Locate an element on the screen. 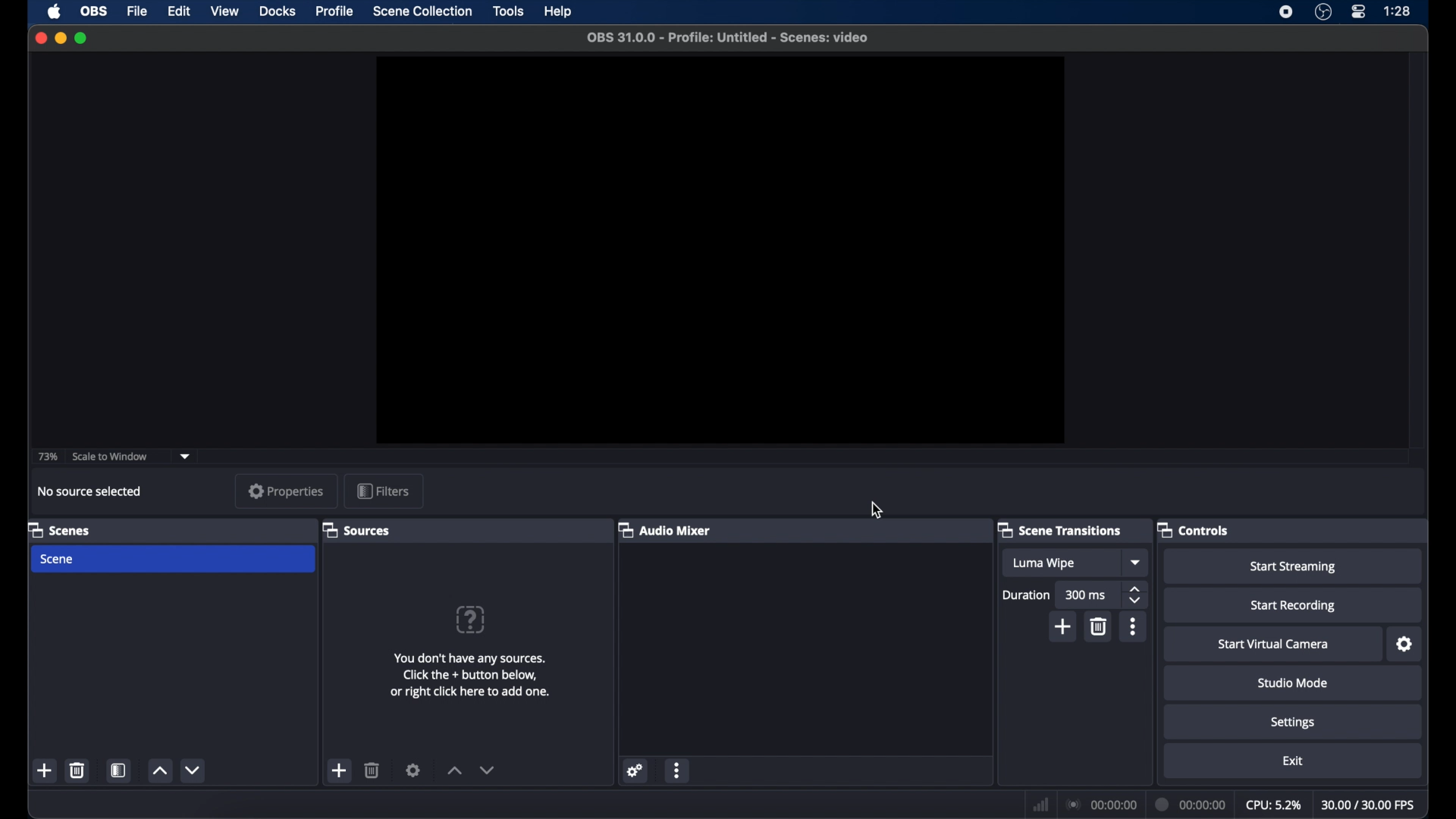 This screenshot has width=1456, height=819. maximize is located at coordinates (83, 38).